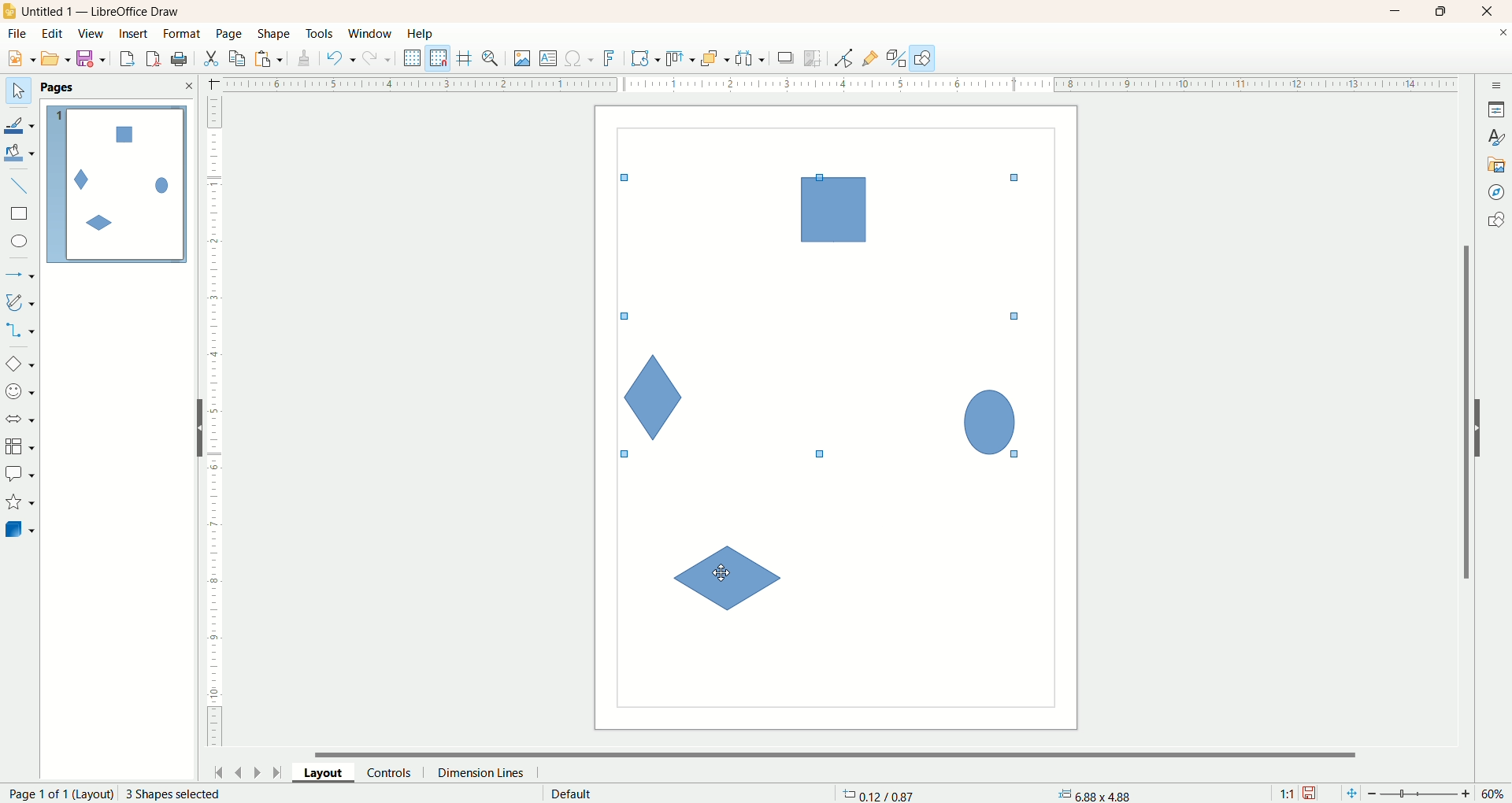 The width and height of the screenshot is (1512, 803). What do you see at coordinates (238, 58) in the screenshot?
I see `copy` at bounding box center [238, 58].